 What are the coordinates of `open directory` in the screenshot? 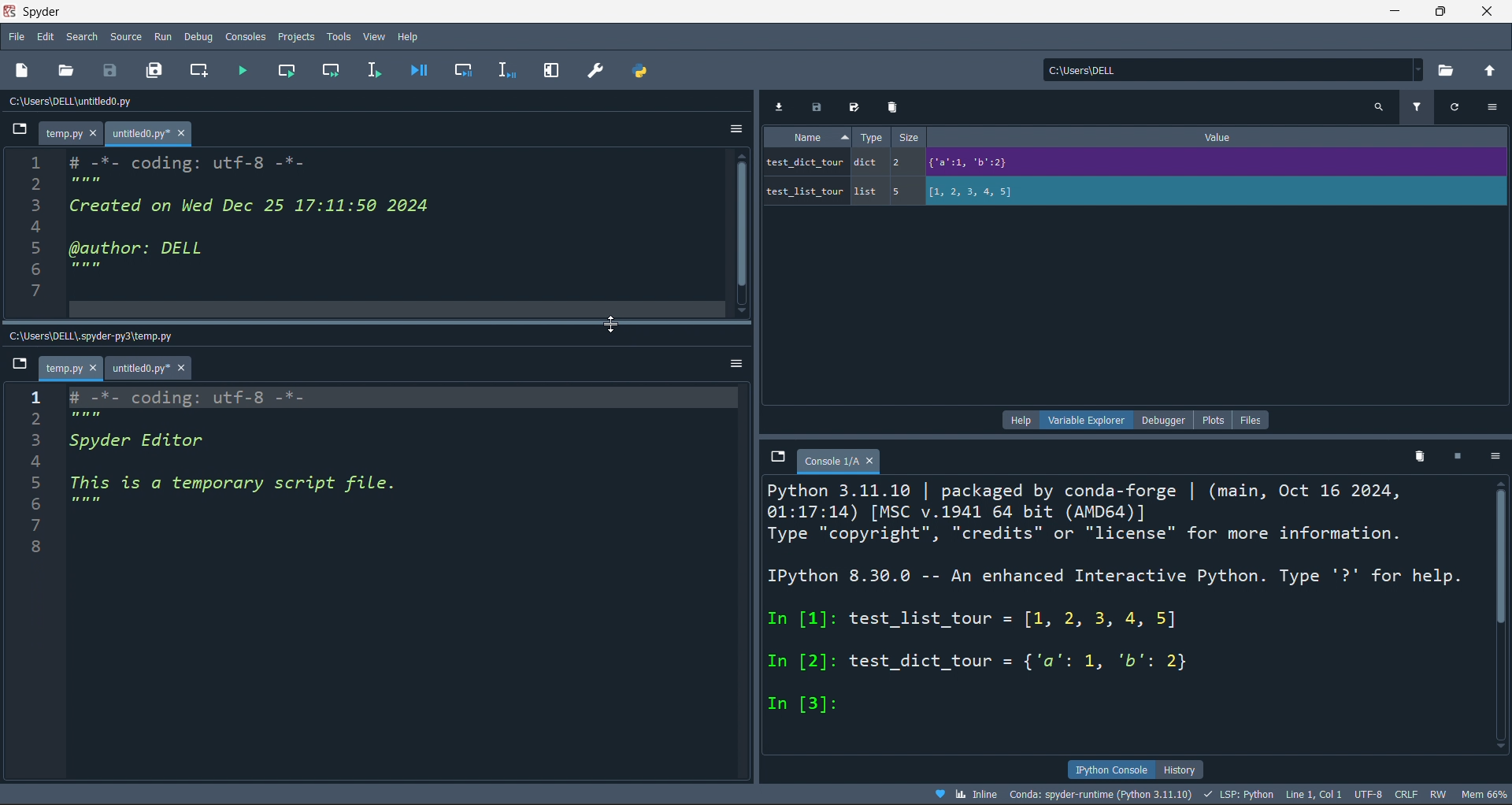 It's located at (1450, 69).